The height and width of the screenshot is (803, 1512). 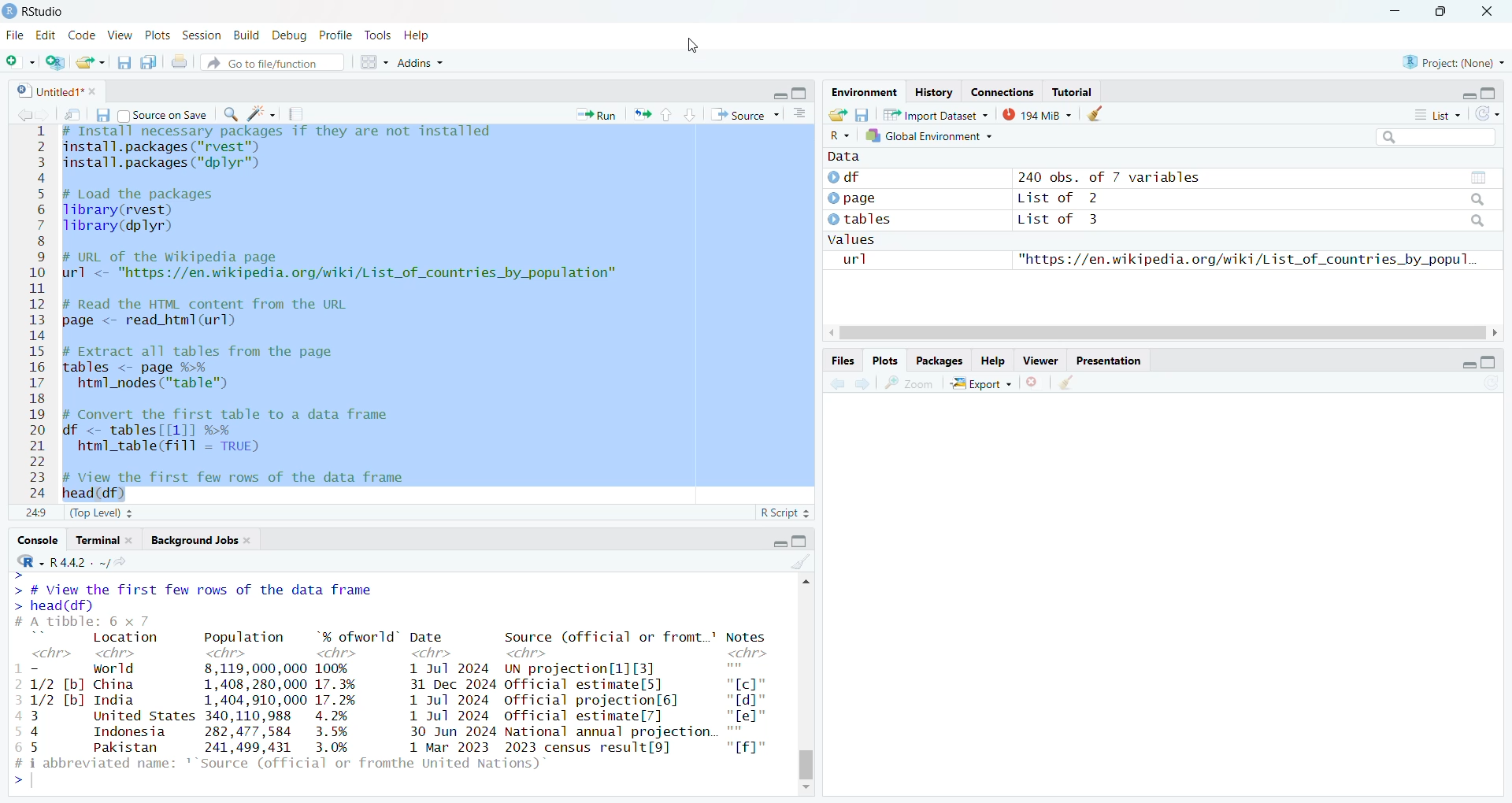 What do you see at coordinates (695, 46) in the screenshot?
I see `cursor` at bounding box center [695, 46].